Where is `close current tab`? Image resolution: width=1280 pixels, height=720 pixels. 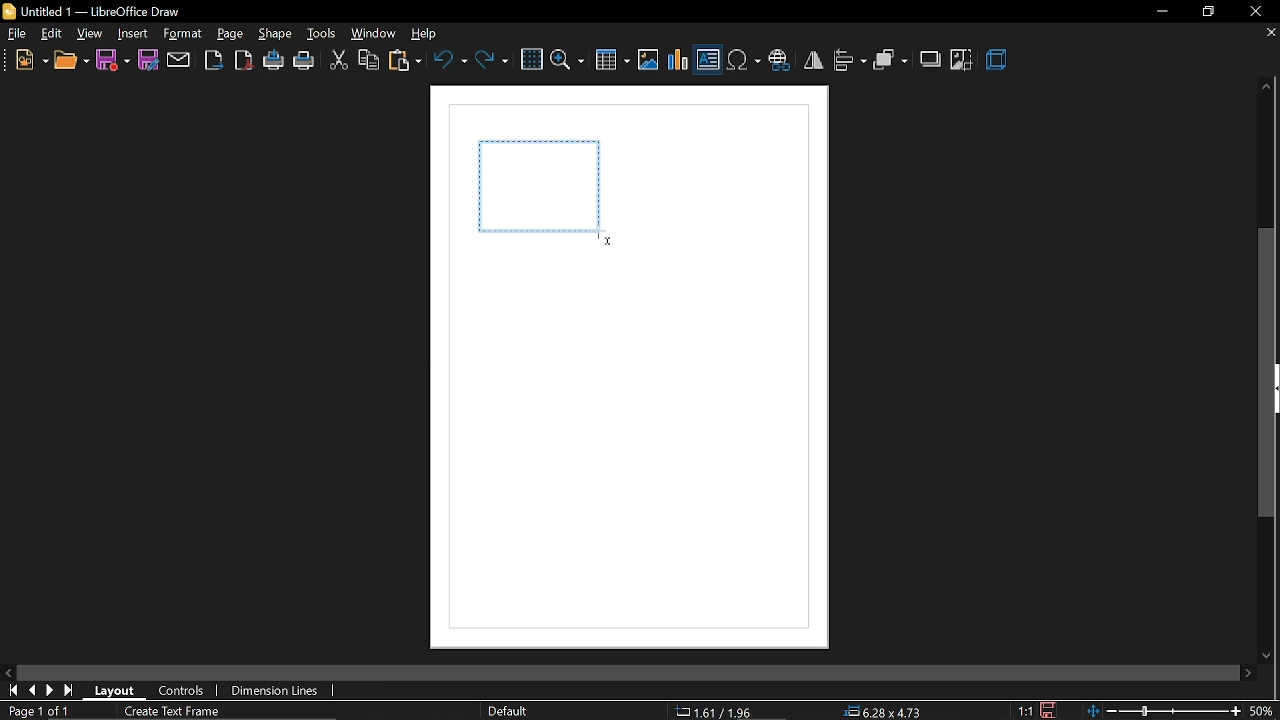 close current tab is located at coordinates (1265, 33).